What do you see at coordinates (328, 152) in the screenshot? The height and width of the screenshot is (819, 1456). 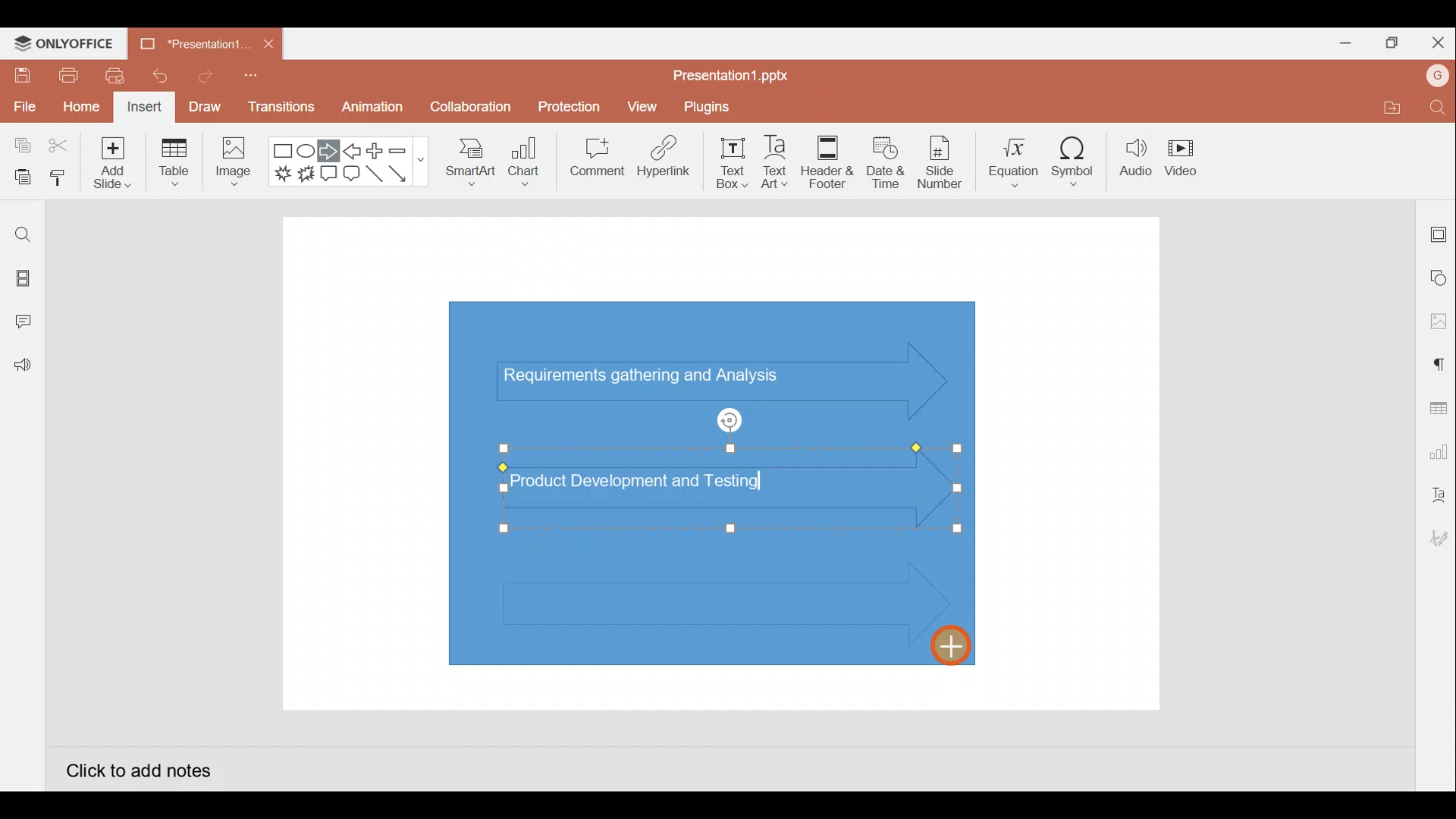 I see `Right arrow` at bounding box center [328, 152].